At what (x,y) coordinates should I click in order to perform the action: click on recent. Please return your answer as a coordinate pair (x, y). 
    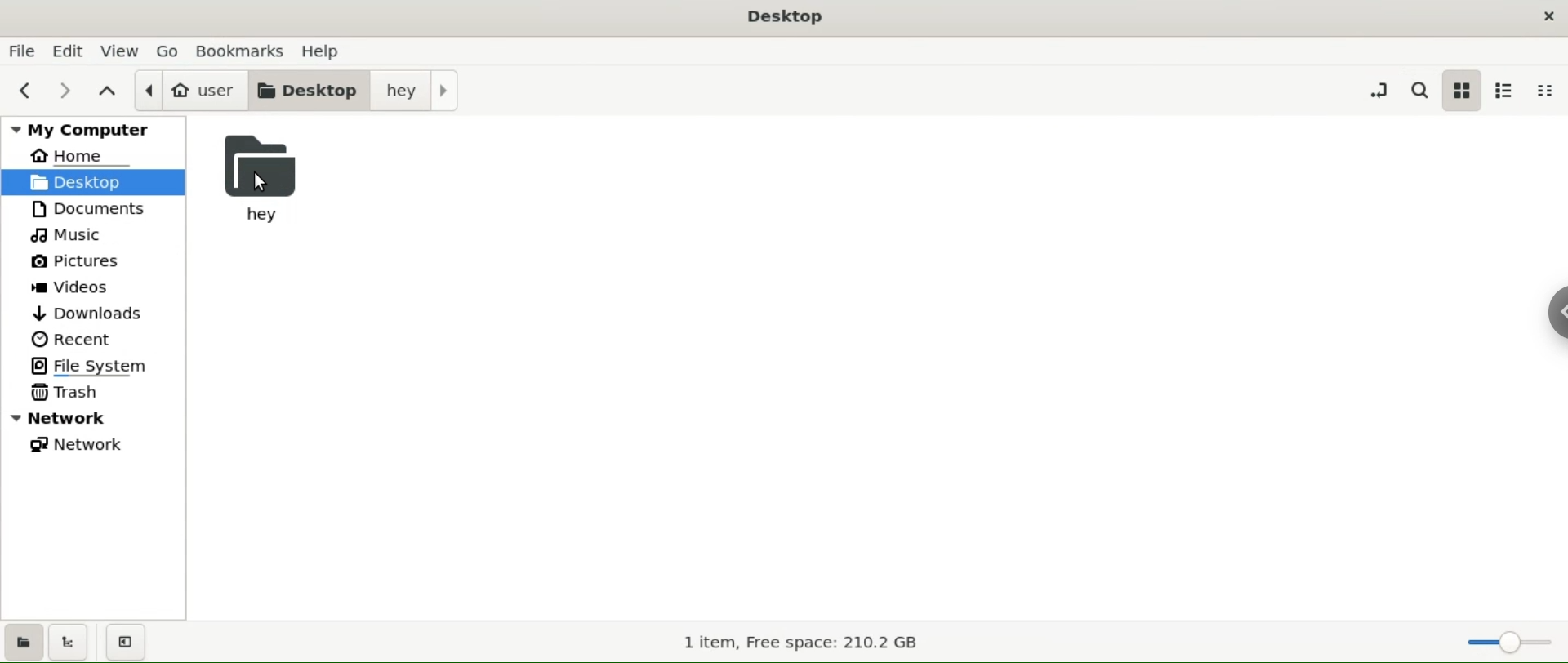
    Looking at the image, I should click on (71, 340).